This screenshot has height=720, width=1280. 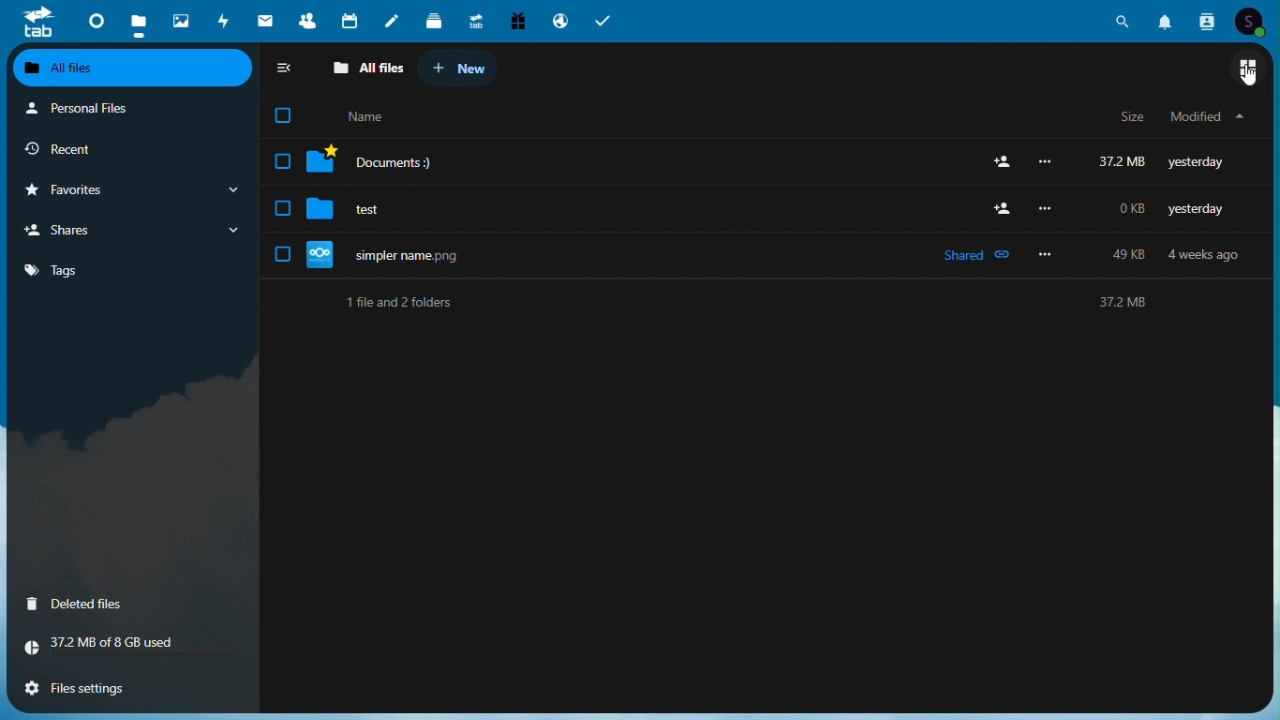 I want to click on search, so click(x=1123, y=23).